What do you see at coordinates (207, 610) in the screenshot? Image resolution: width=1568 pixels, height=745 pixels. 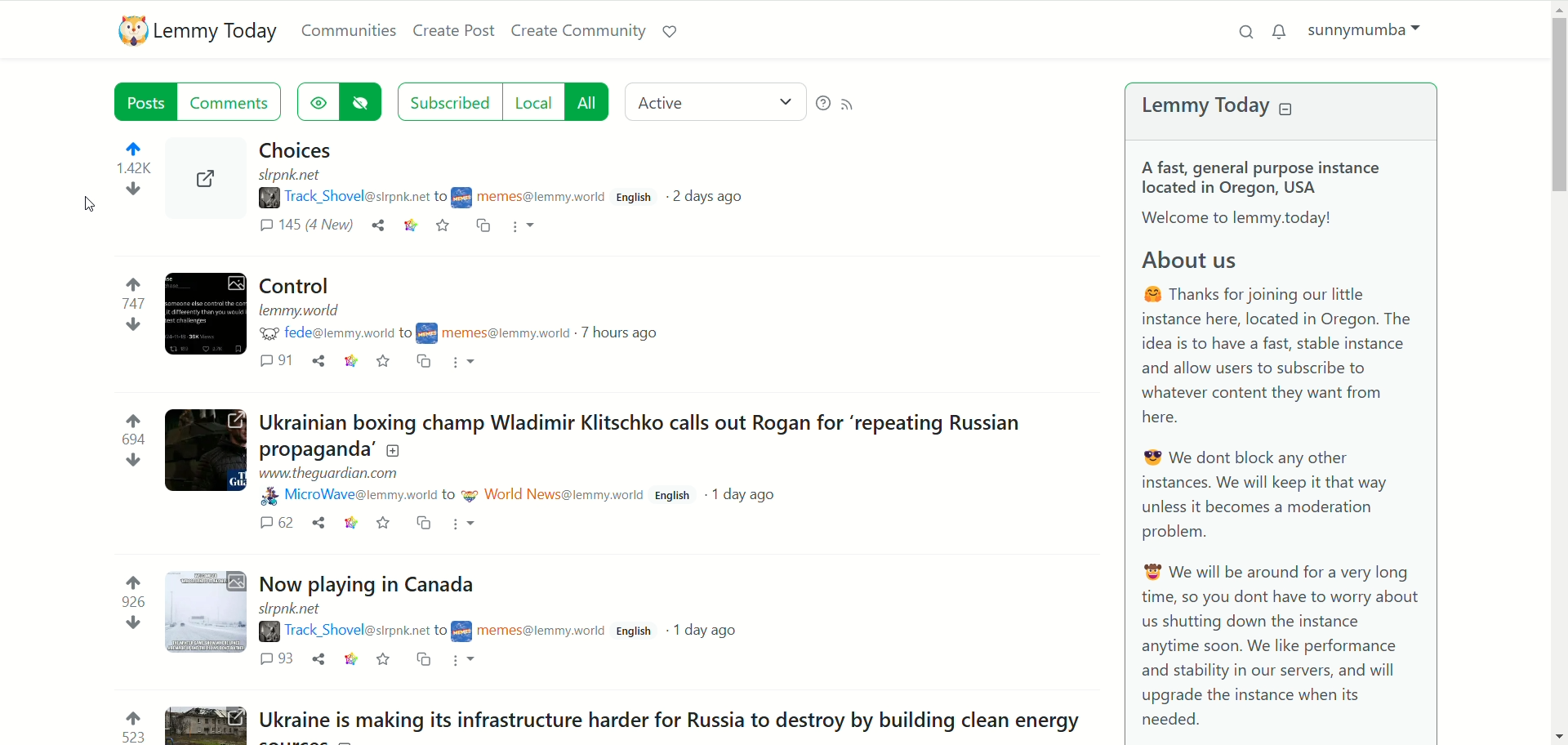 I see `Thumbnail` at bounding box center [207, 610].